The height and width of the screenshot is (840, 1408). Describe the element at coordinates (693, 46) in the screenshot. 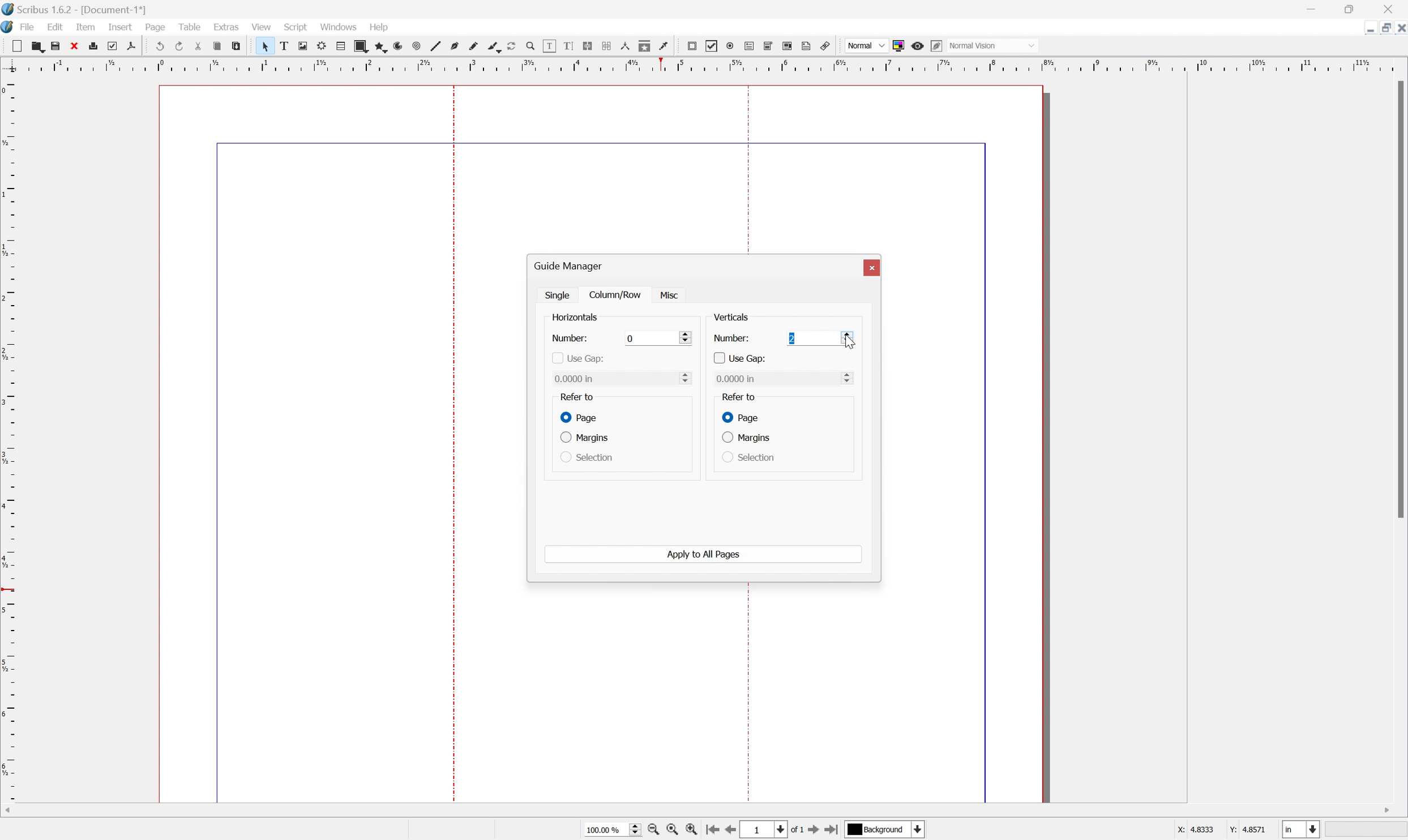

I see `pdf push button` at that location.